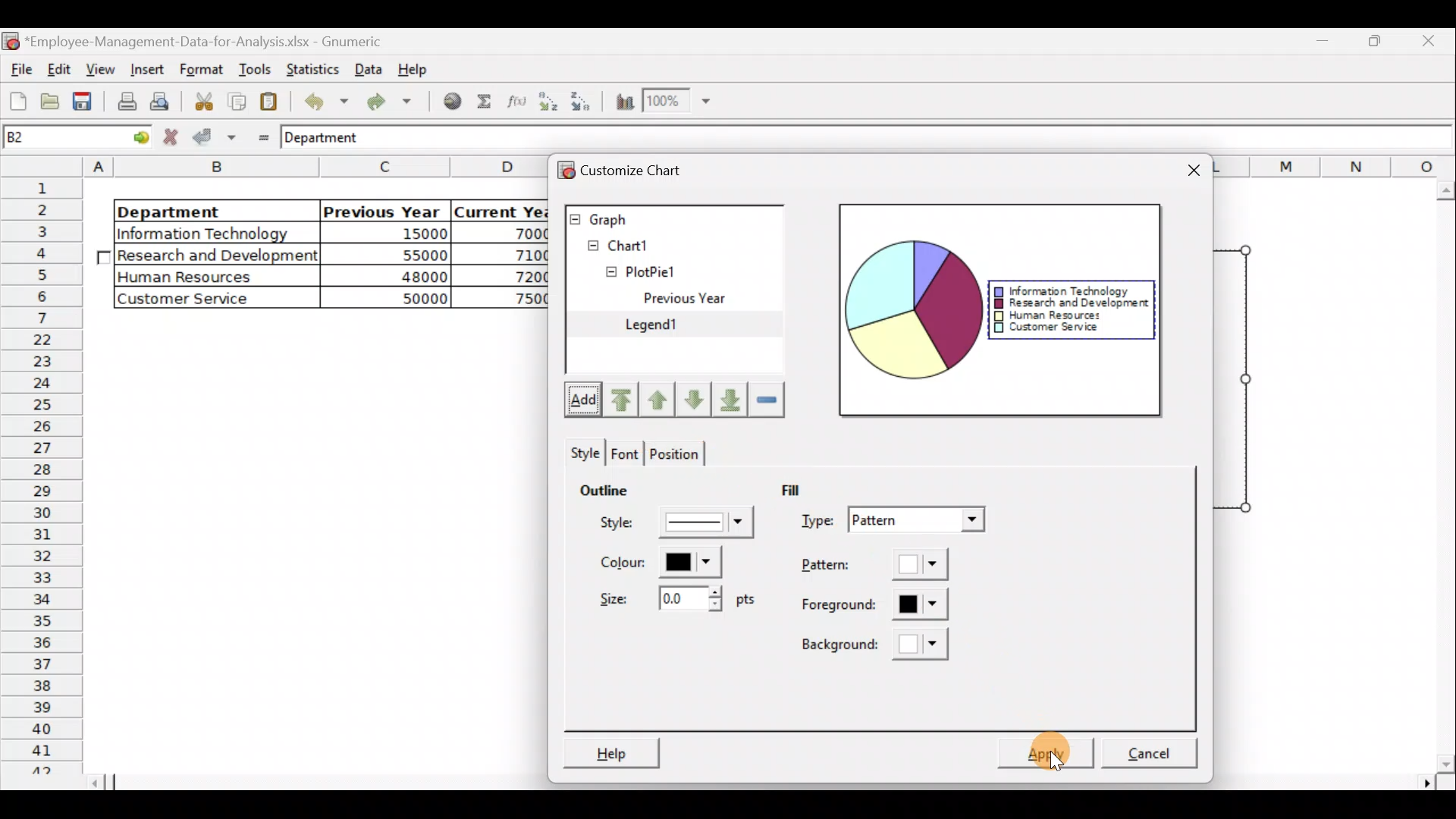 The height and width of the screenshot is (819, 1456). What do you see at coordinates (259, 136) in the screenshot?
I see `Enter formula` at bounding box center [259, 136].